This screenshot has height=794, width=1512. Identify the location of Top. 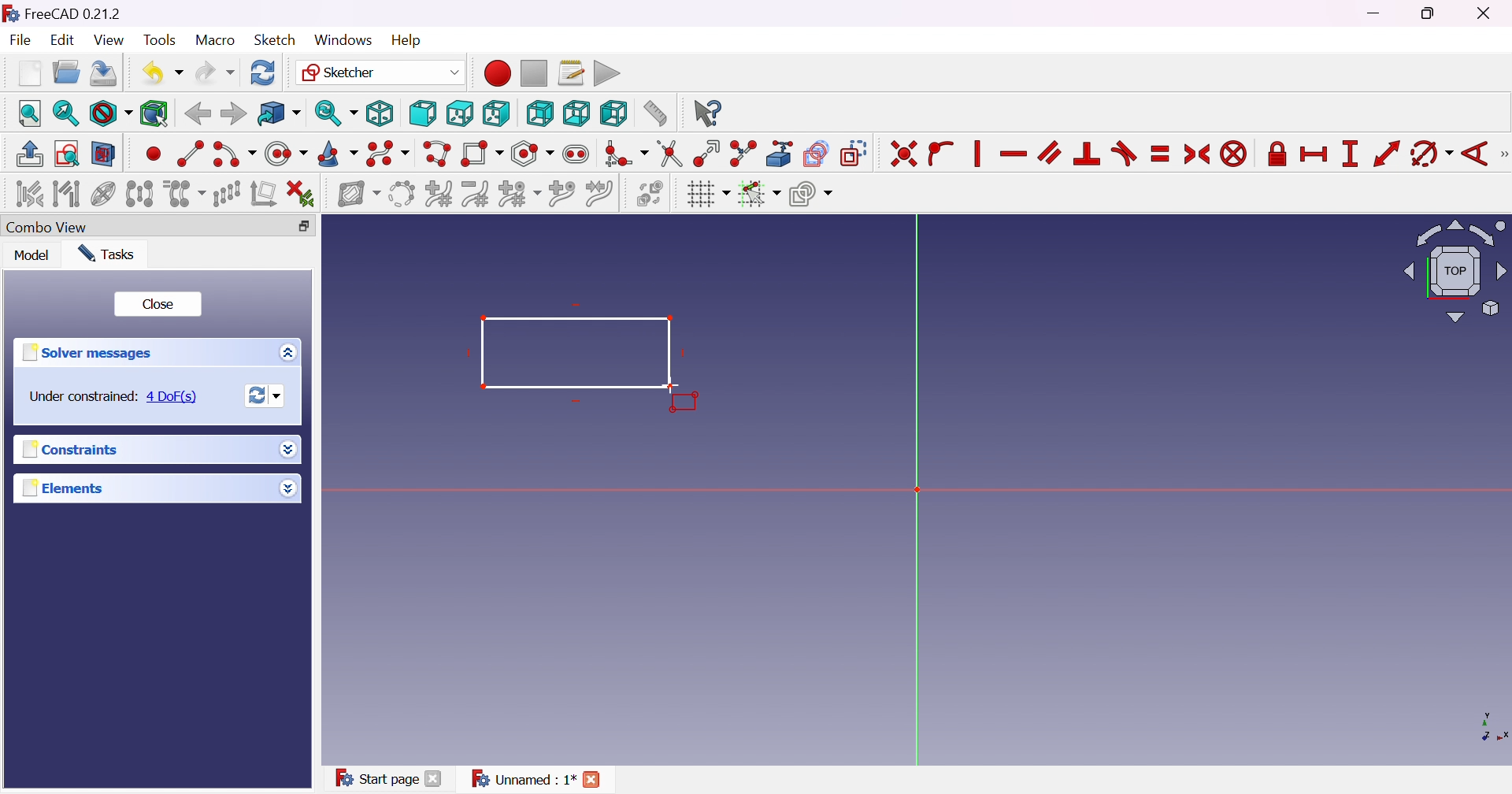
(461, 113).